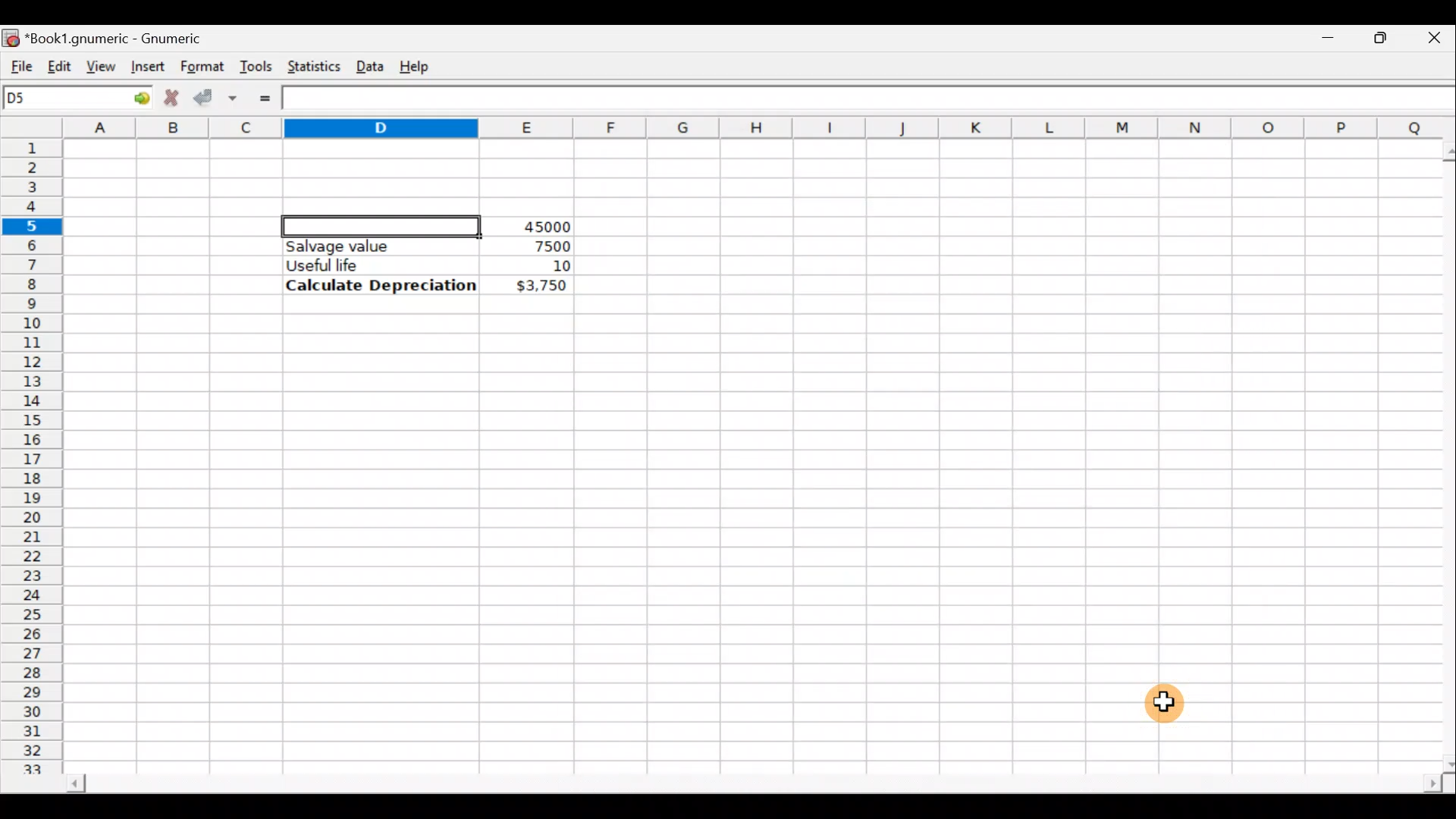 This screenshot has height=819, width=1456. Describe the element at coordinates (102, 65) in the screenshot. I see `View` at that location.